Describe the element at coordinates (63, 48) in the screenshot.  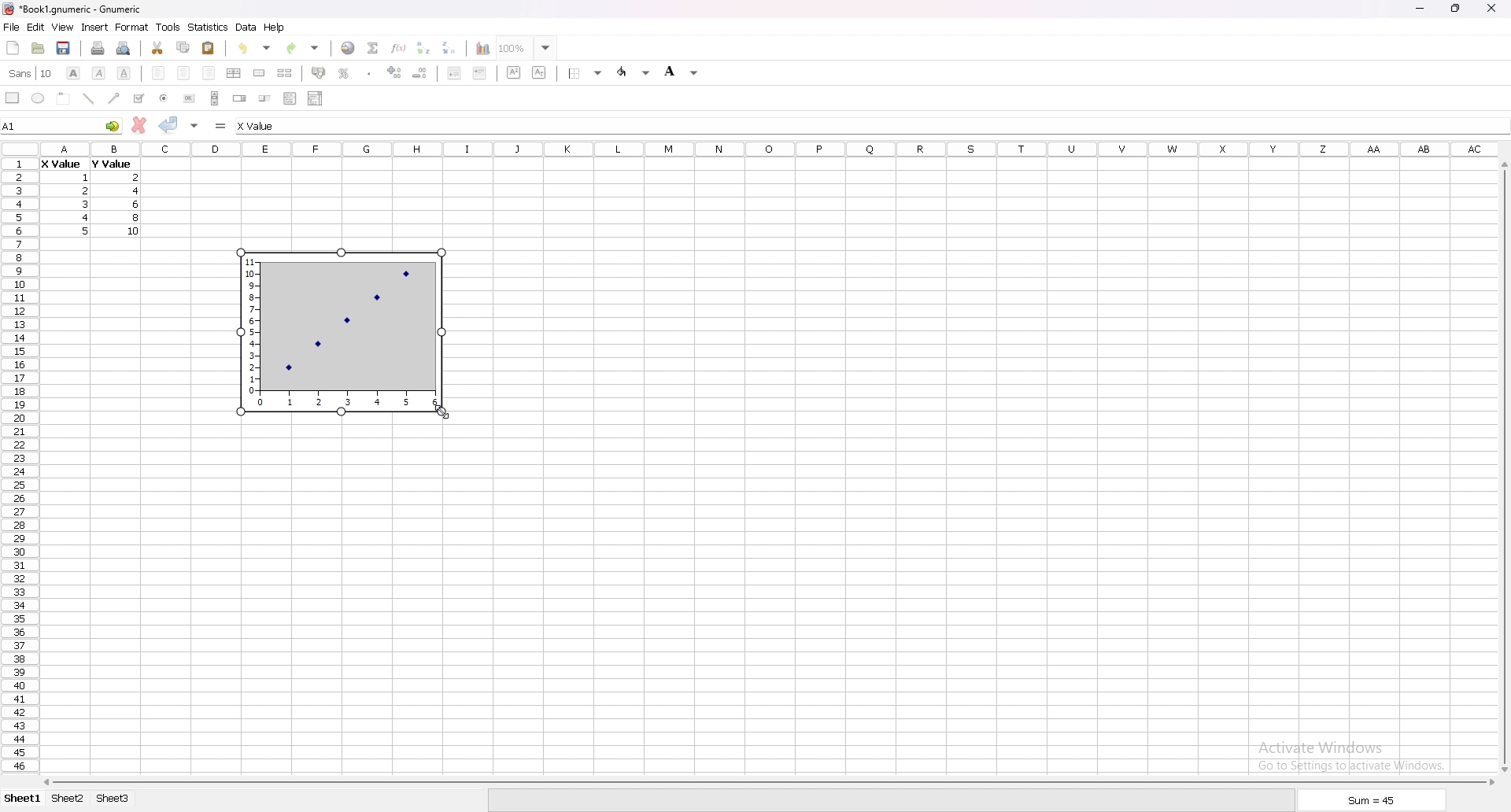
I see `save` at that location.